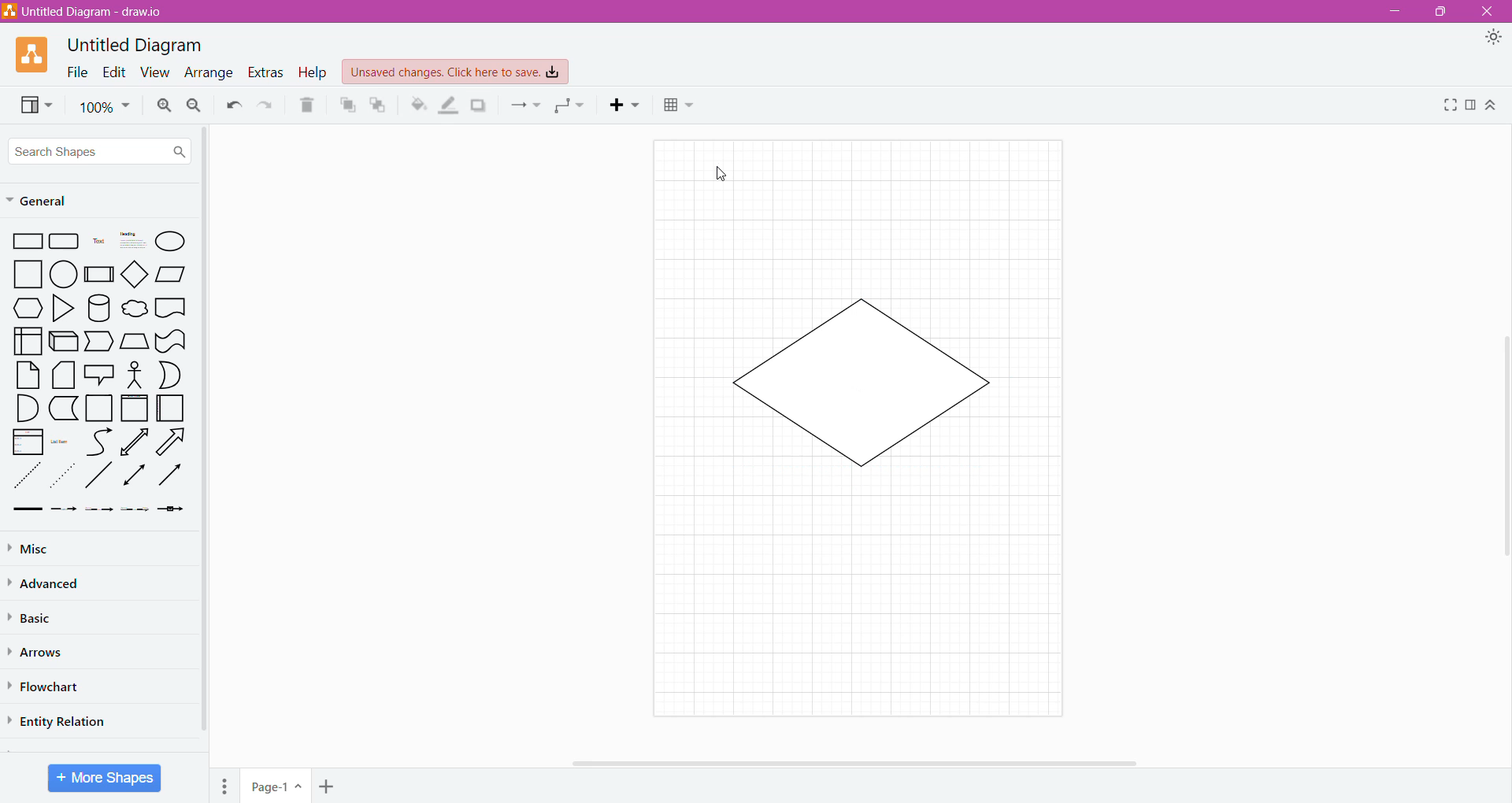  Describe the element at coordinates (418, 105) in the screenshot. I see `Fill Color` at that location.